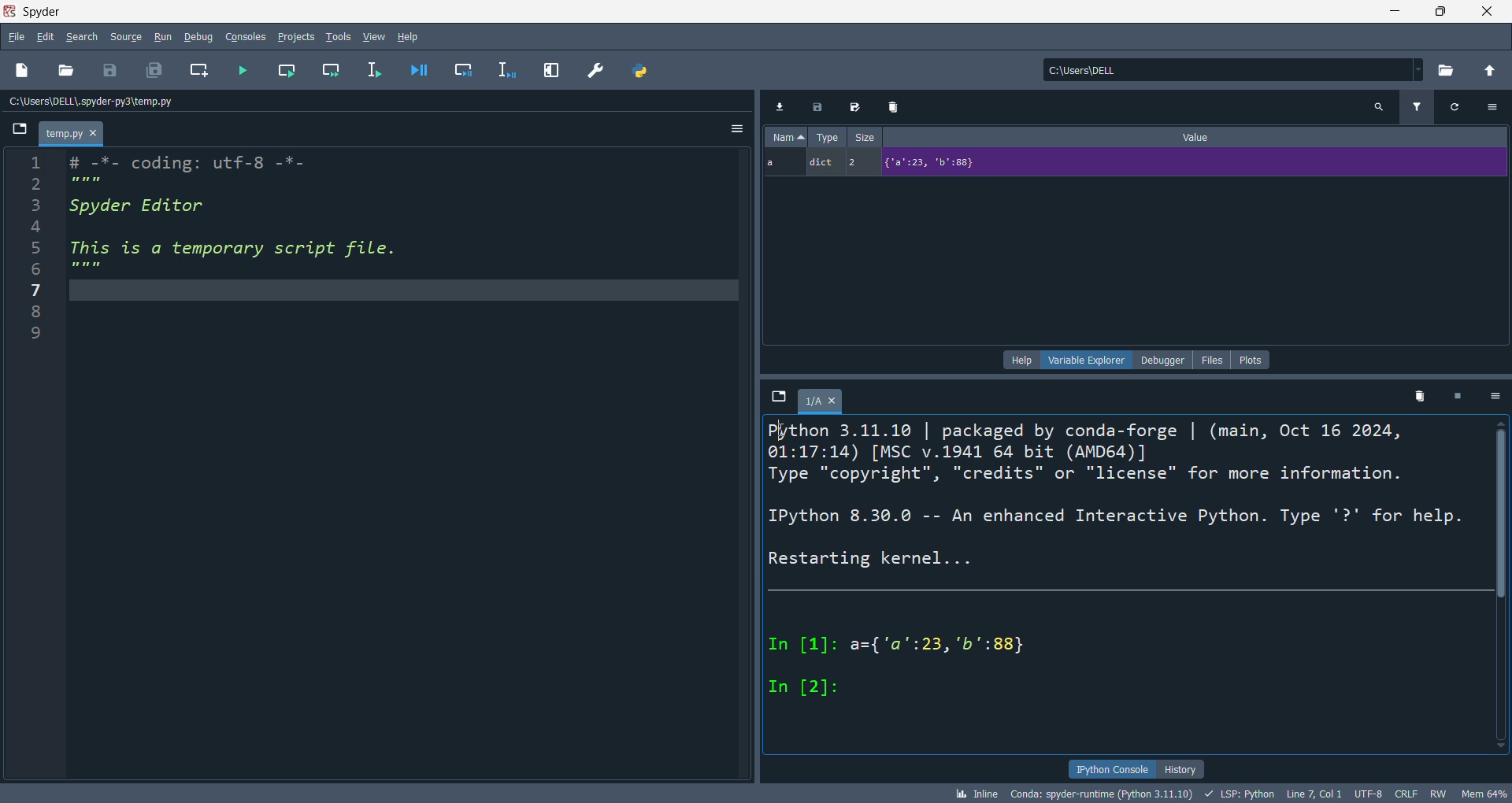 This screenshot has width=1512, height=803. Describe the element at coordinates (1213, 360) in the screenshot. I see `files` at that location.